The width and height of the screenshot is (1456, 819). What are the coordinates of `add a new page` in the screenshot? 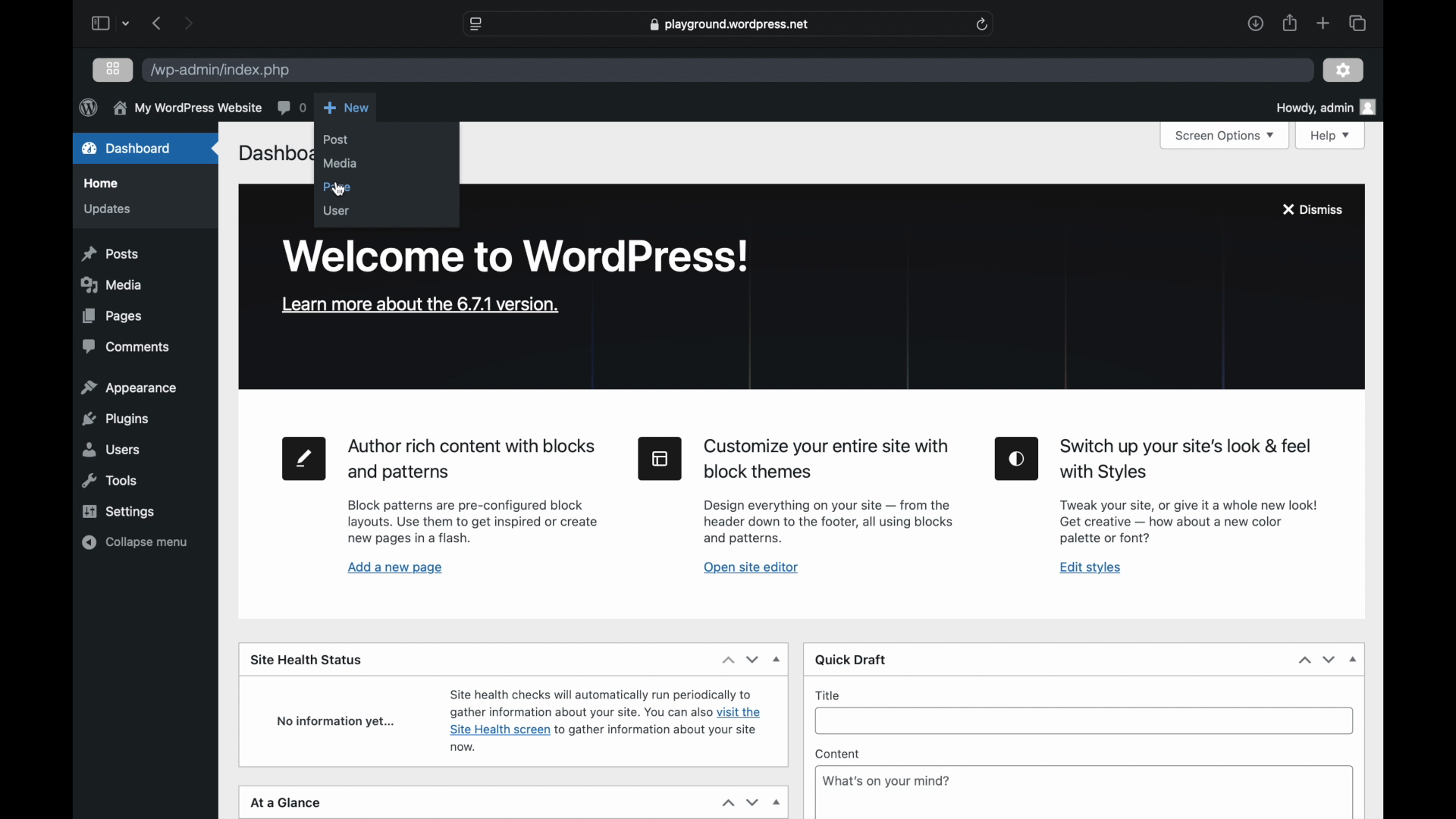 It's located at (396, 569).